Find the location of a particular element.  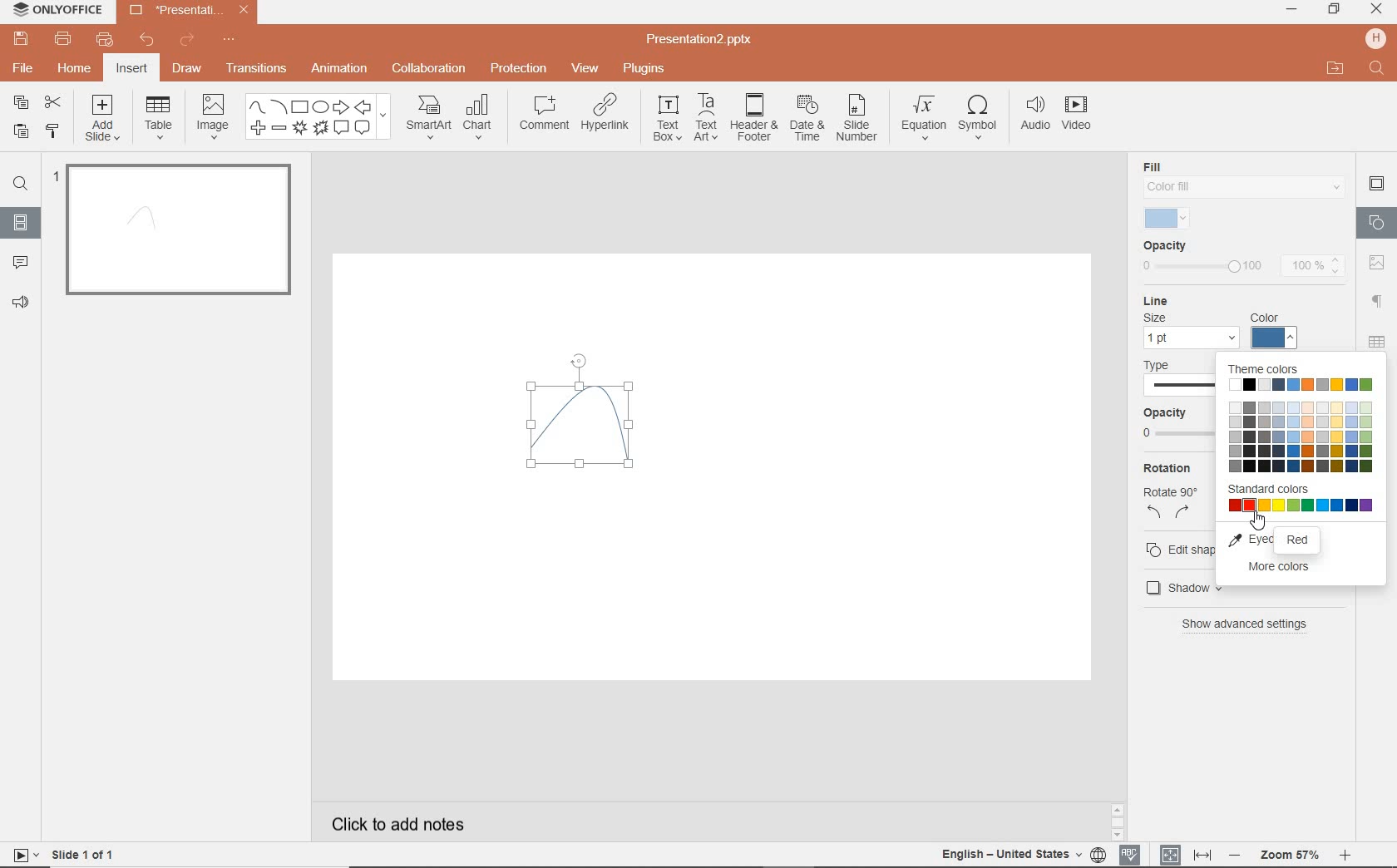

SLIDE1 is located at coordinates (175, 235).